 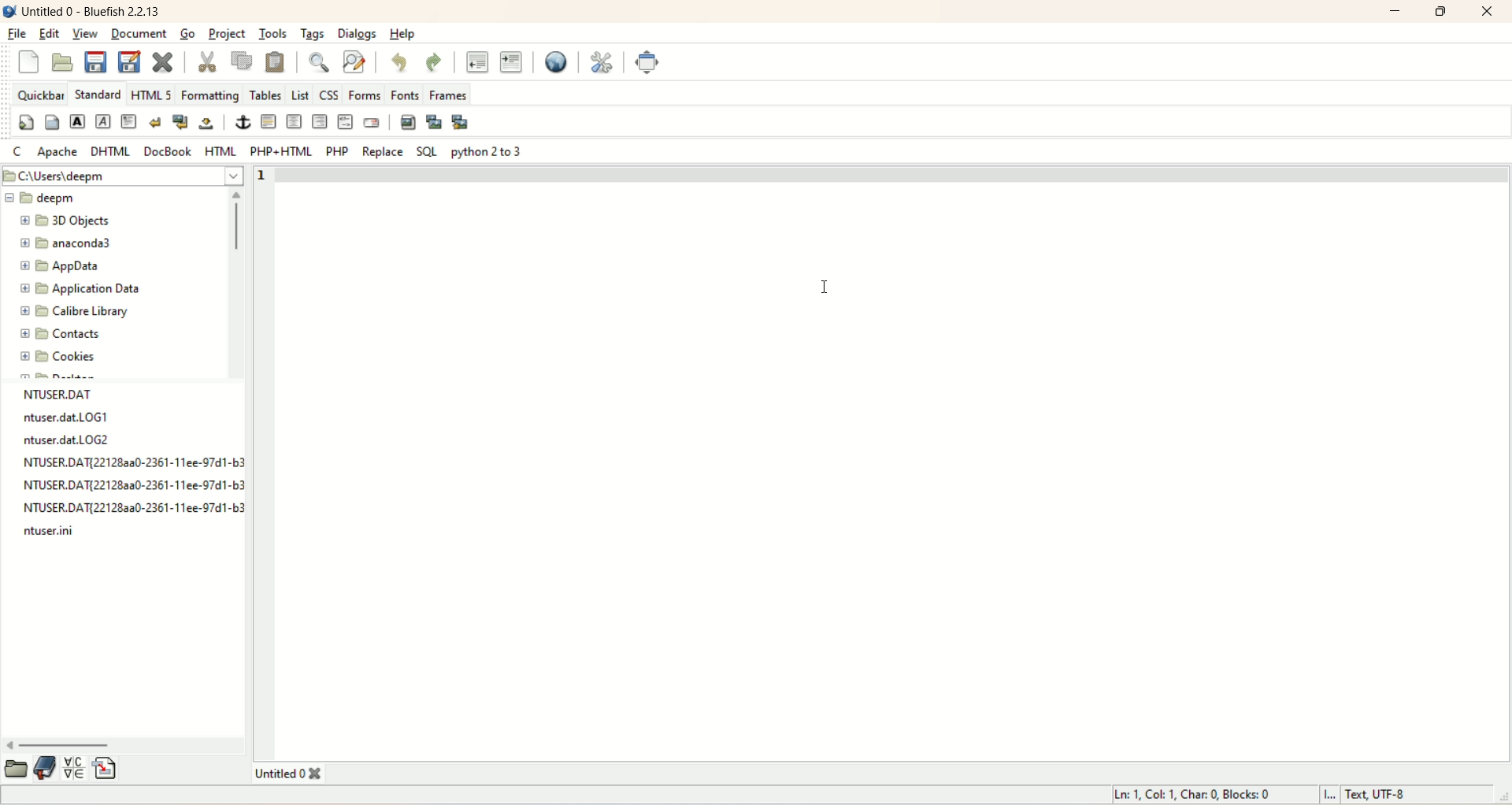 What do you see at coordinates (153, 96) in the screenshot?
I see `HTML 5` at bounding box center [153, 96].